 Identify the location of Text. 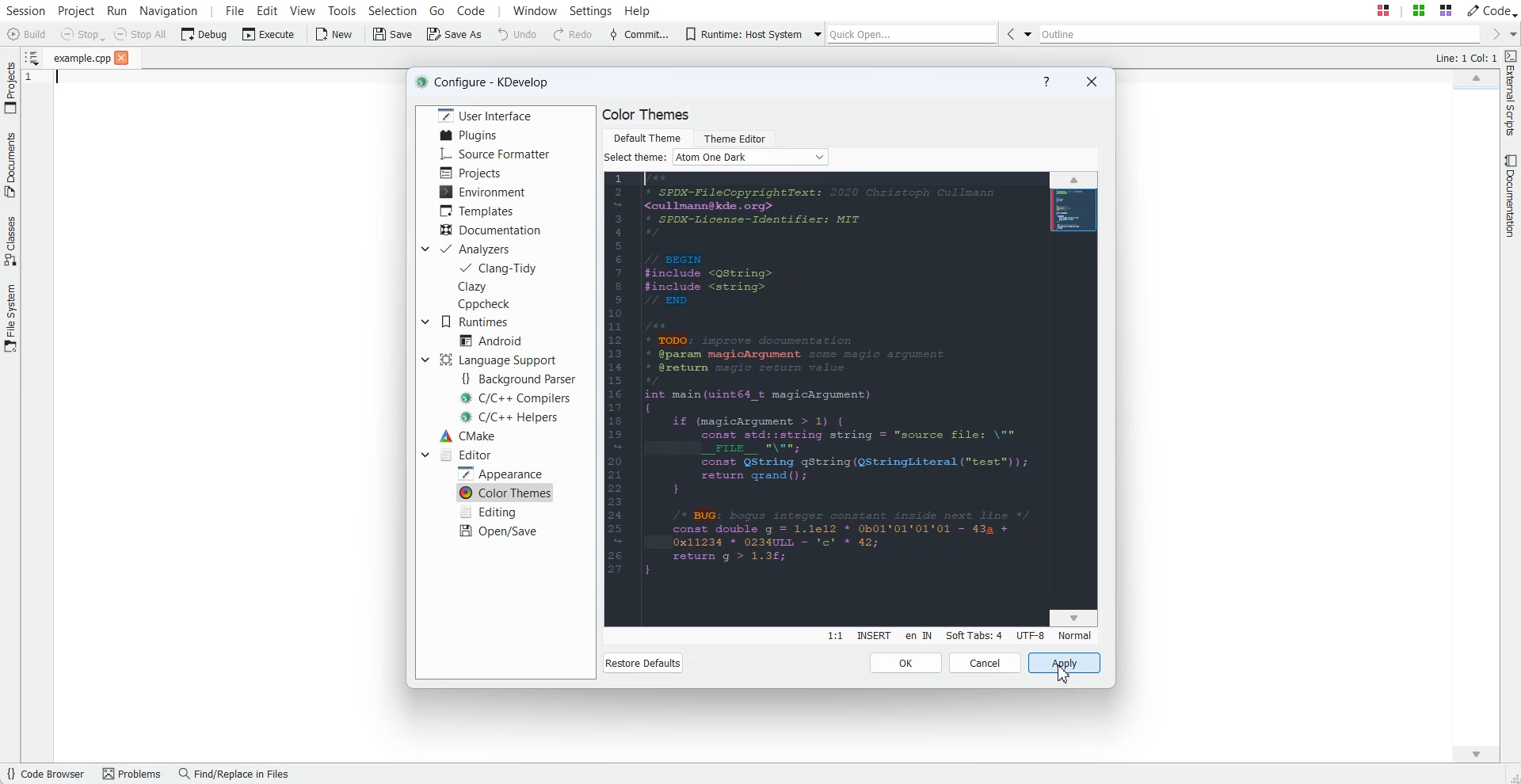
(1465, 59).